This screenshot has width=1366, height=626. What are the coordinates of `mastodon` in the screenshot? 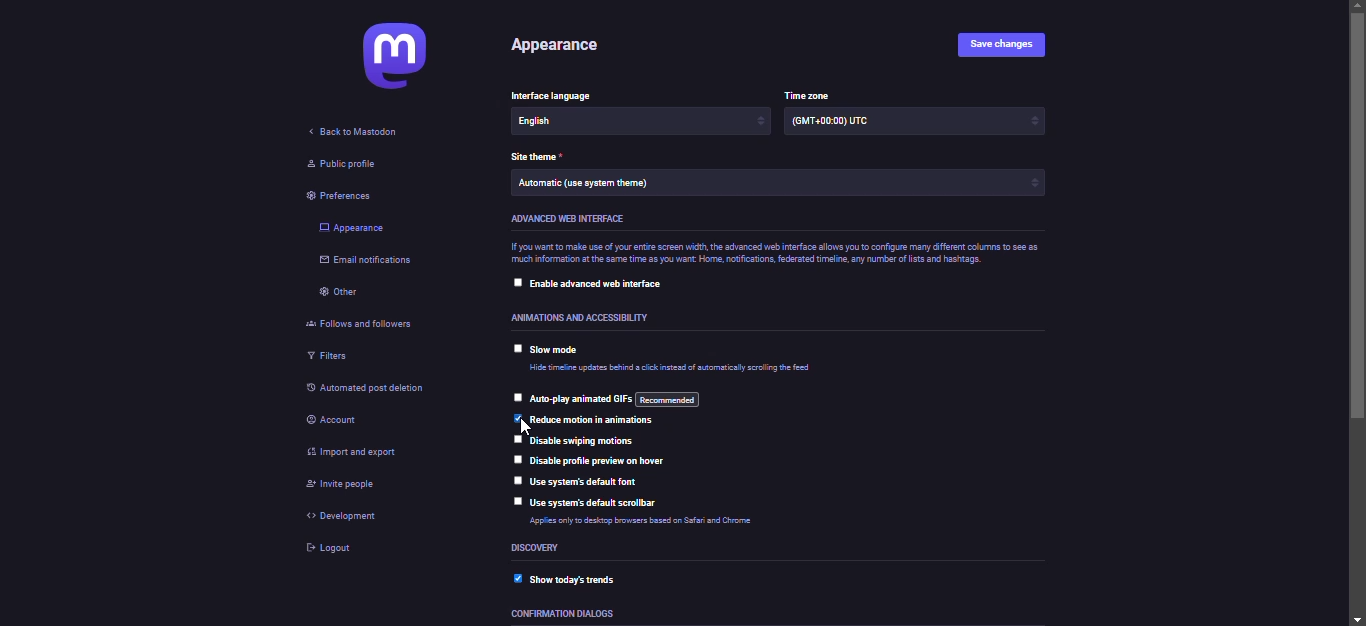 It's located at (395, 58).